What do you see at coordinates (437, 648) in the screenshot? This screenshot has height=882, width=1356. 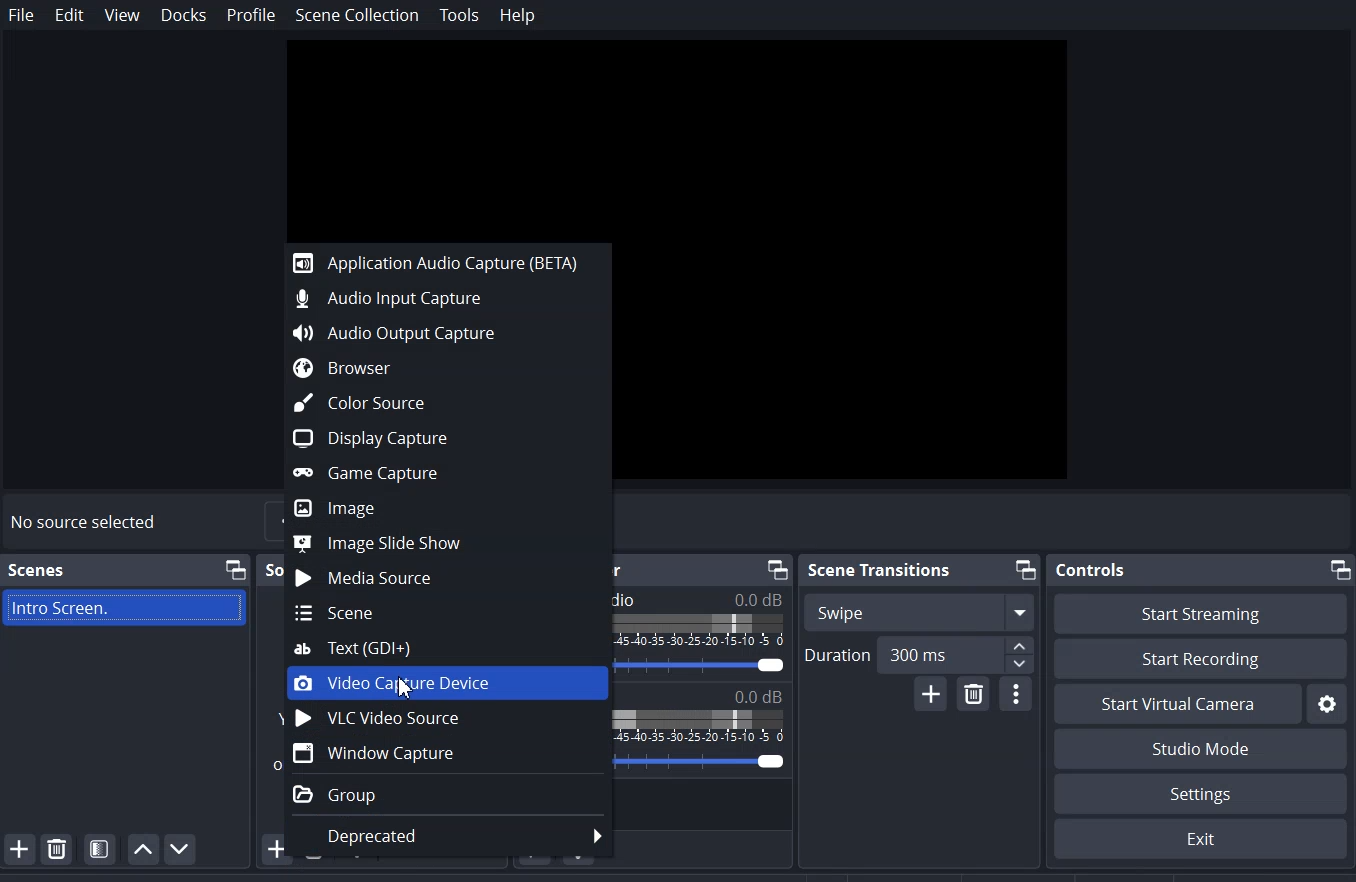 I see `Text (GDI)` at bounding box center [437, 648].